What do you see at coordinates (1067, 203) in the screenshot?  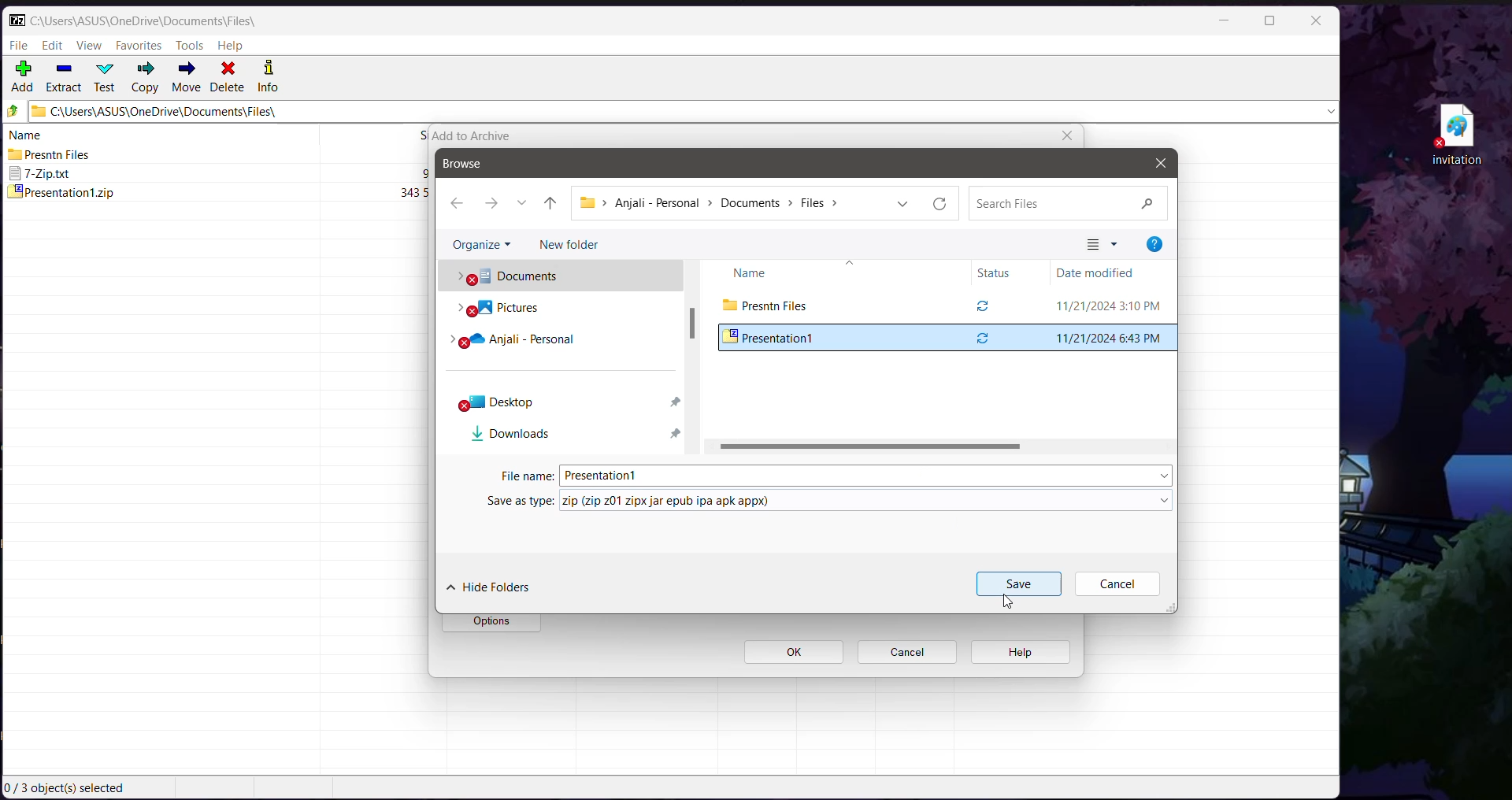 I see `Search` at bounding box center [1067, 203].